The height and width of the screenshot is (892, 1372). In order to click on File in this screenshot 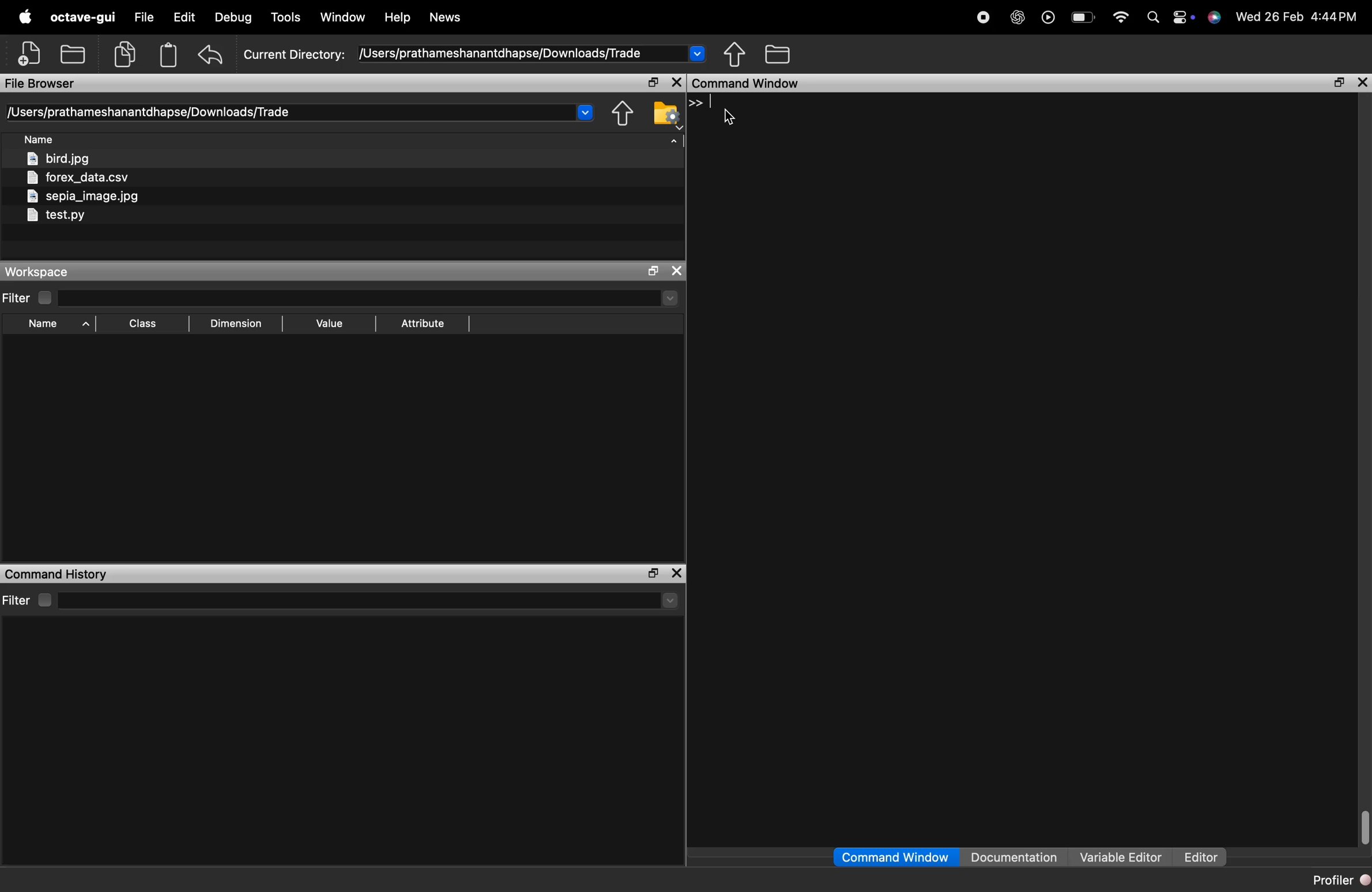, I will do `click(145, 17)`.